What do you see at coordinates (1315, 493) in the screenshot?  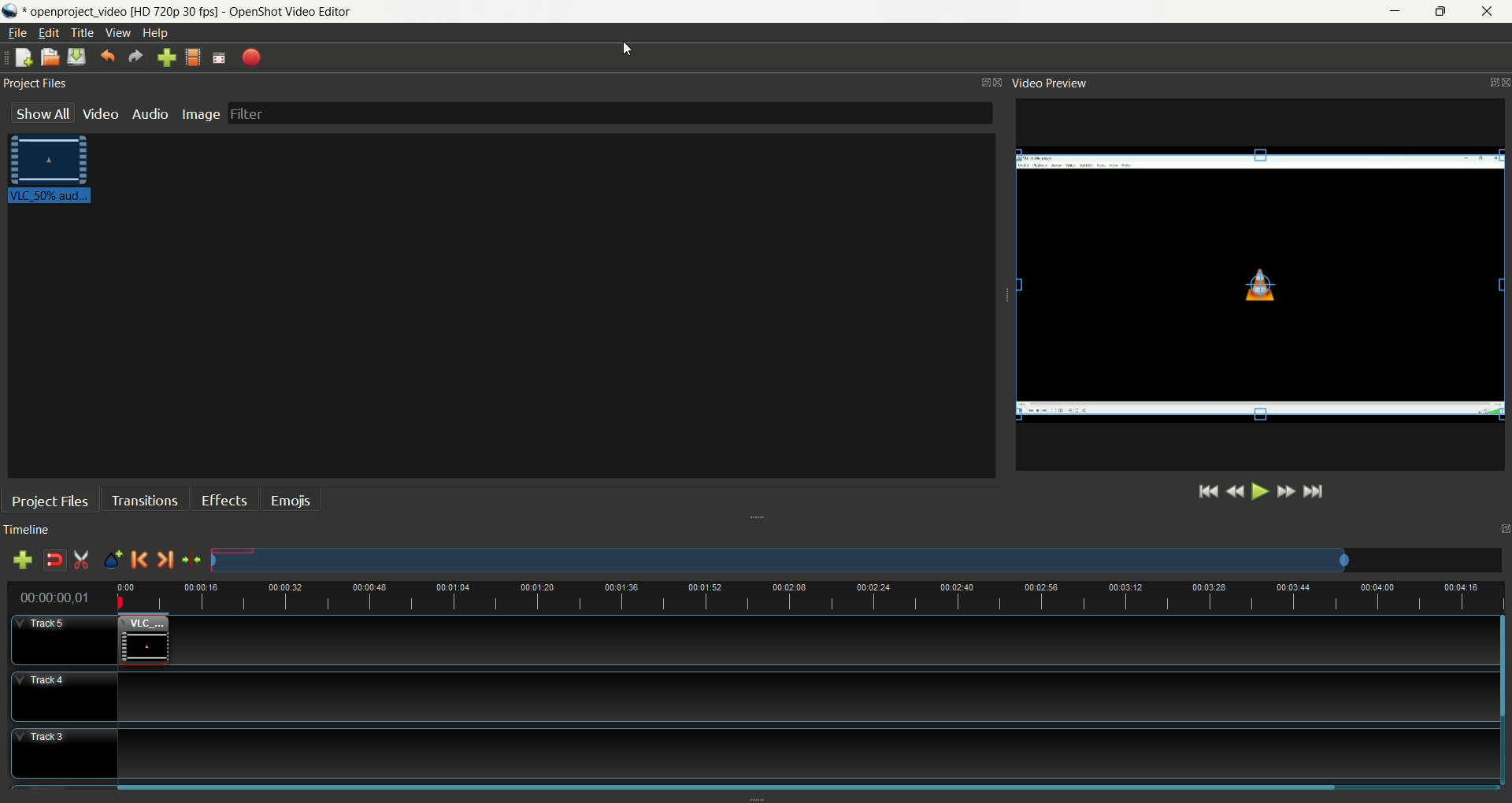 I see `jump to the end` at bounding box center [1315, 493].